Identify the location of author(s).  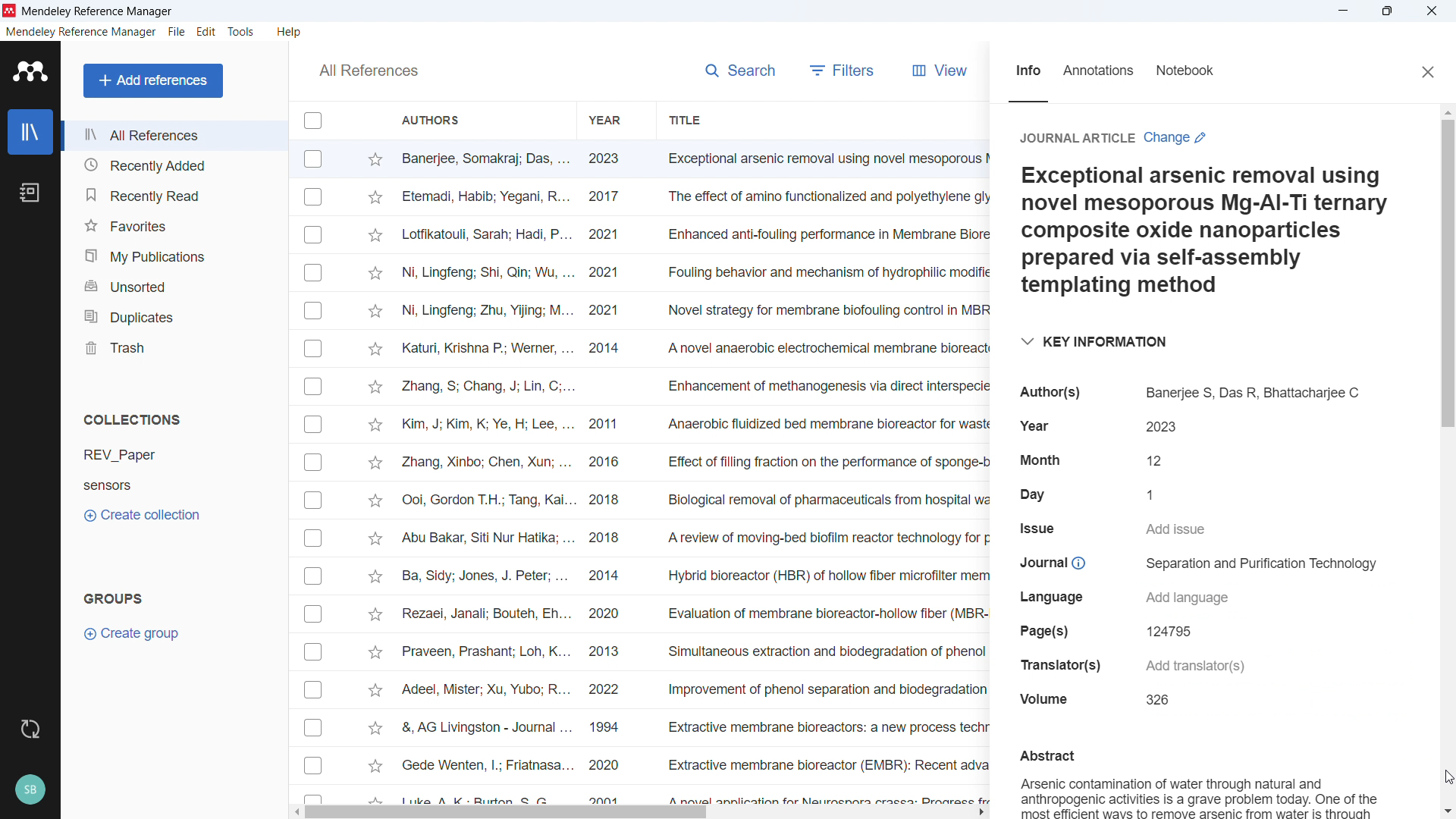
(1058, 391).